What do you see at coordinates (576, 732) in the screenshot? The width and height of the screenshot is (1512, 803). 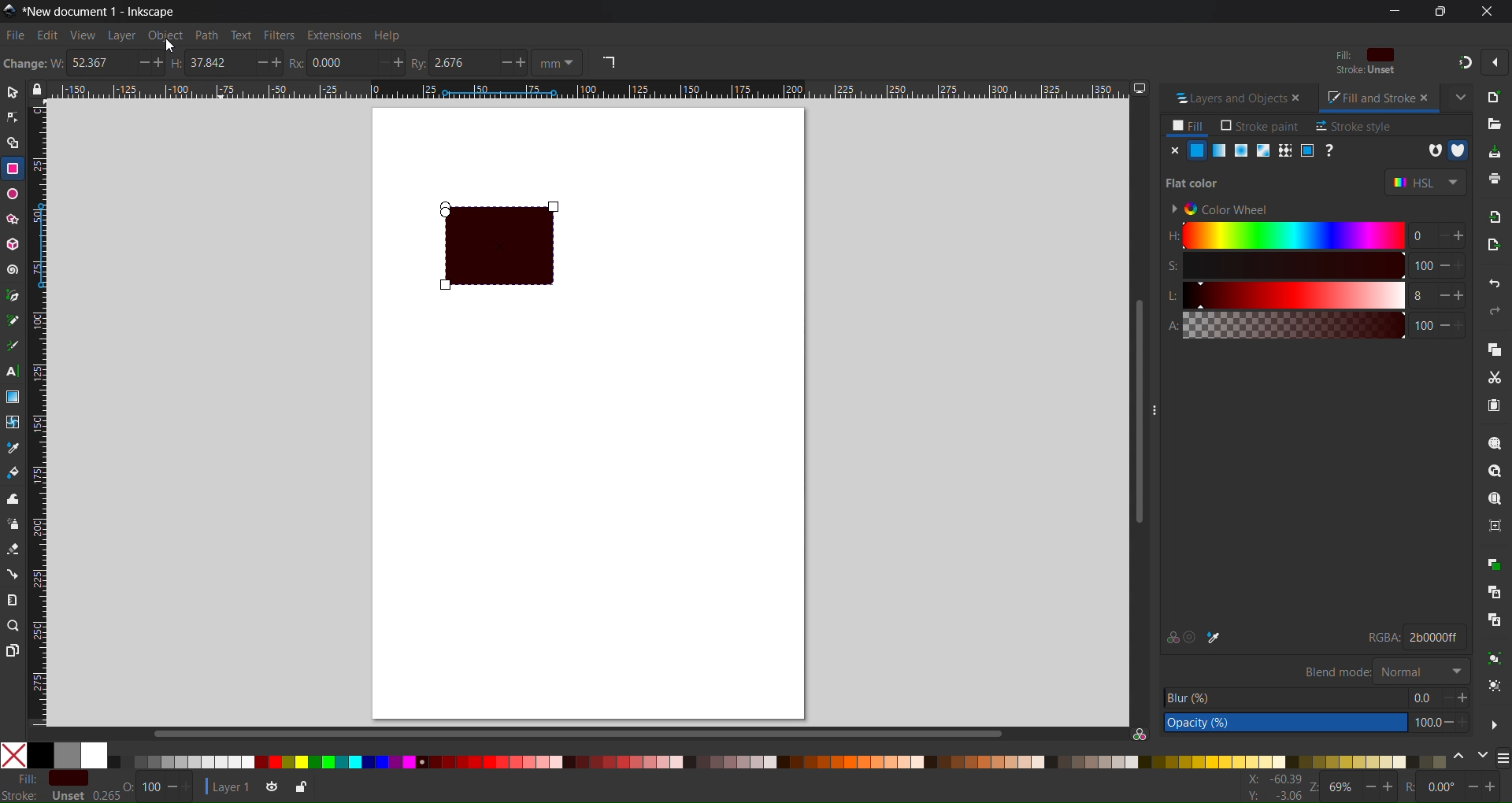 I see `Horizontal scroll bar` at bounding box center [576, 732].